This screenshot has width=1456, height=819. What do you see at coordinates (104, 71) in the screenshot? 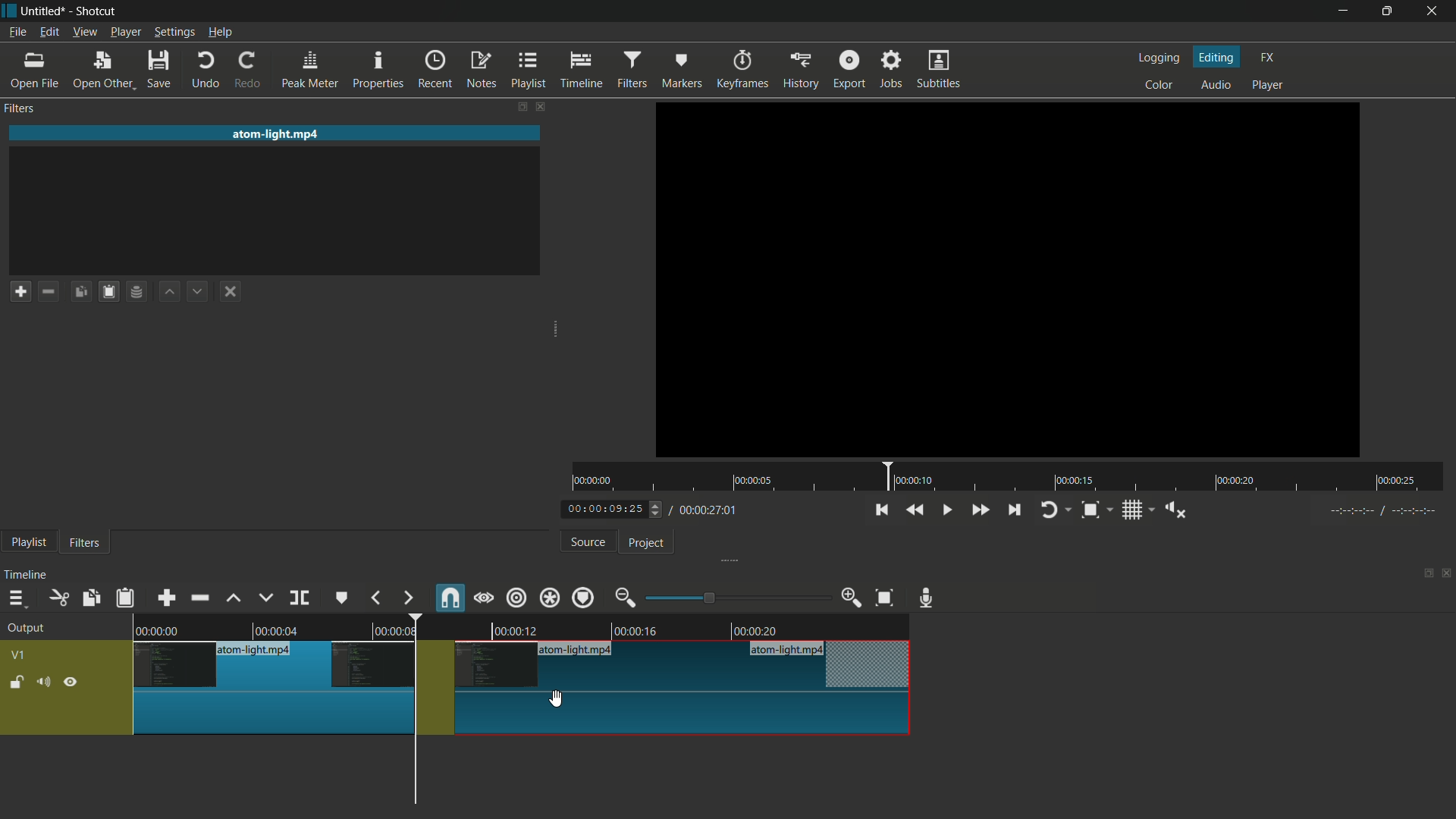
I see `open other` at bounding box center [104, 71].